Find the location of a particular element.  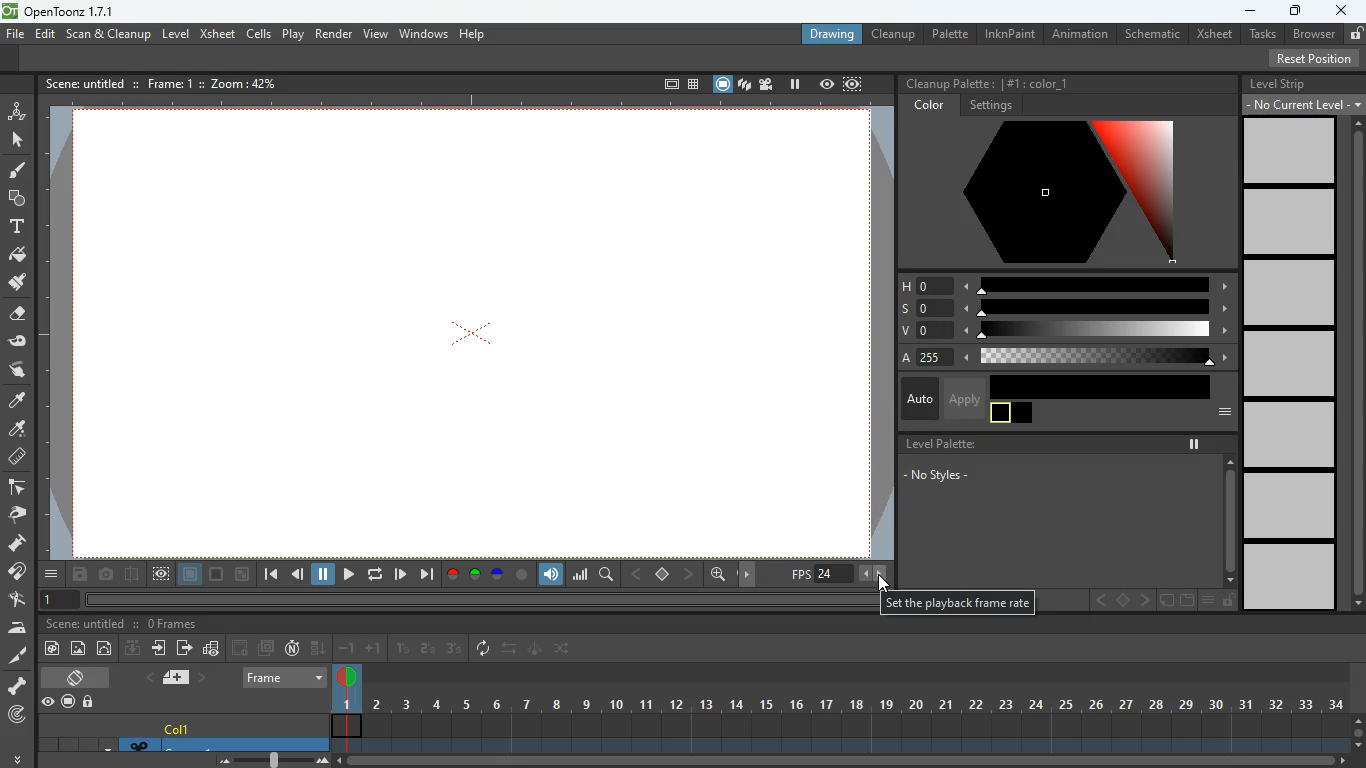

back is located at coordinates (299, 575).